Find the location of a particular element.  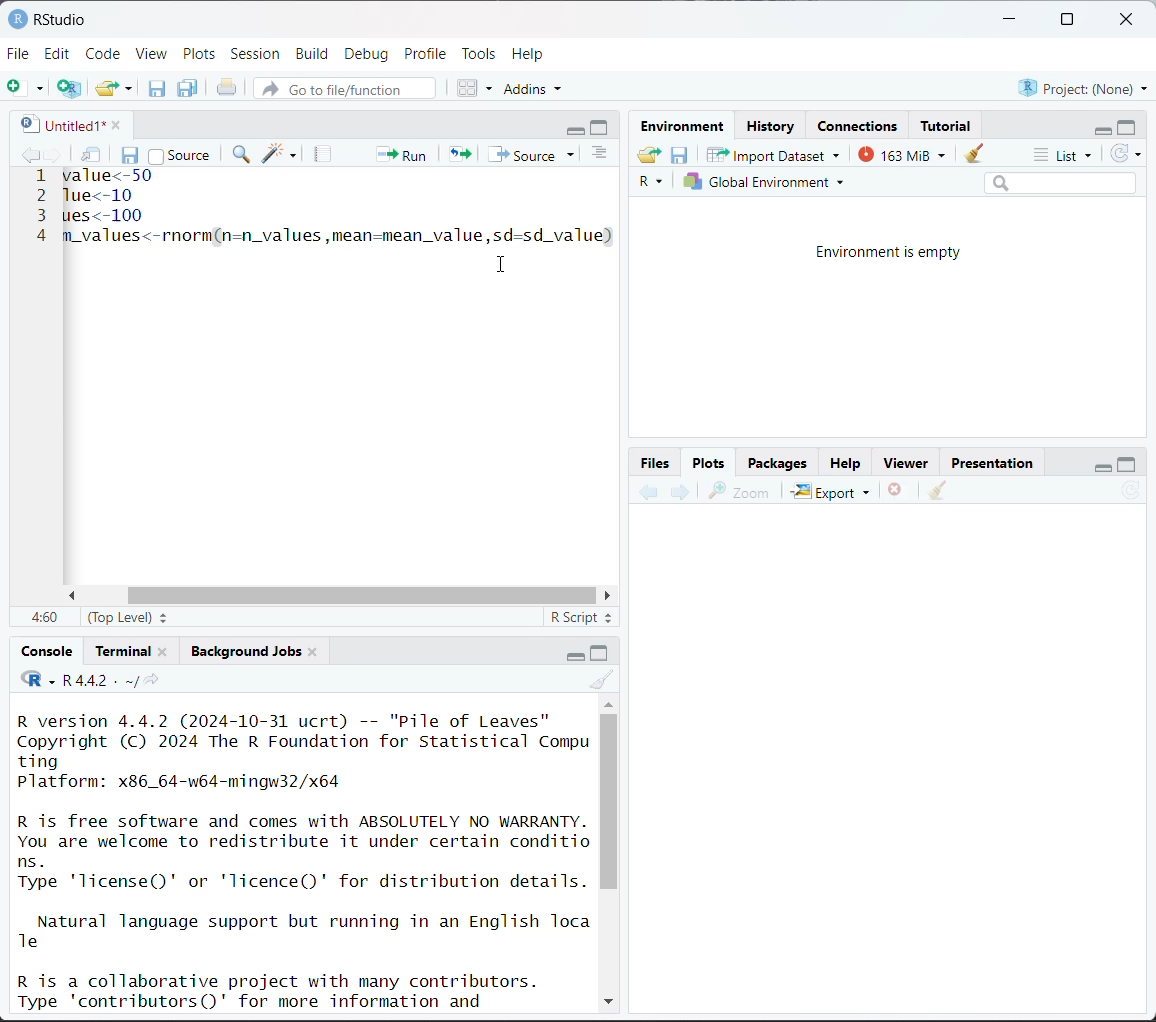

maximize is located at coordinates (602, 127).